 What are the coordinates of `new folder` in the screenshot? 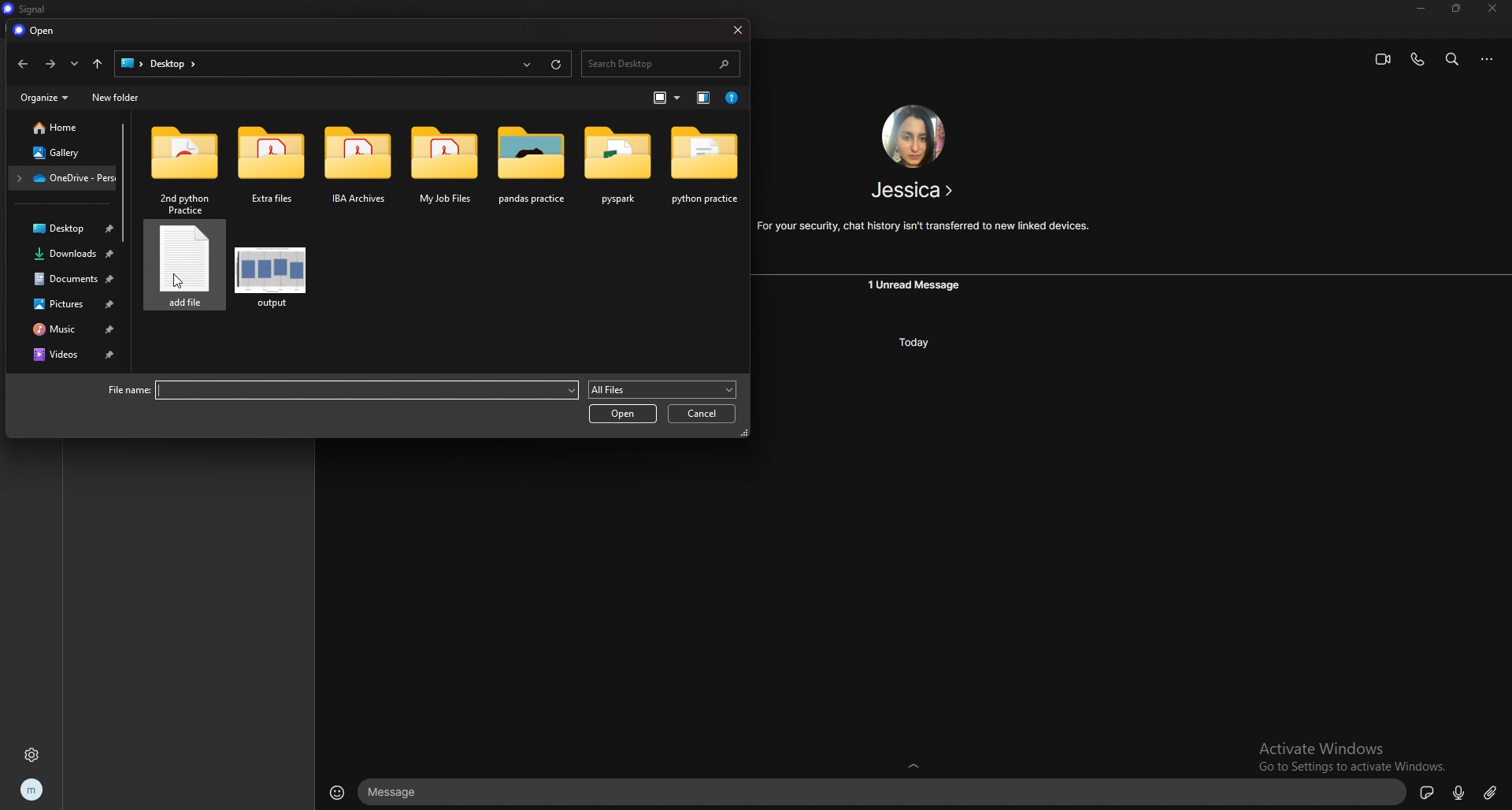 It's located at (117, 97).